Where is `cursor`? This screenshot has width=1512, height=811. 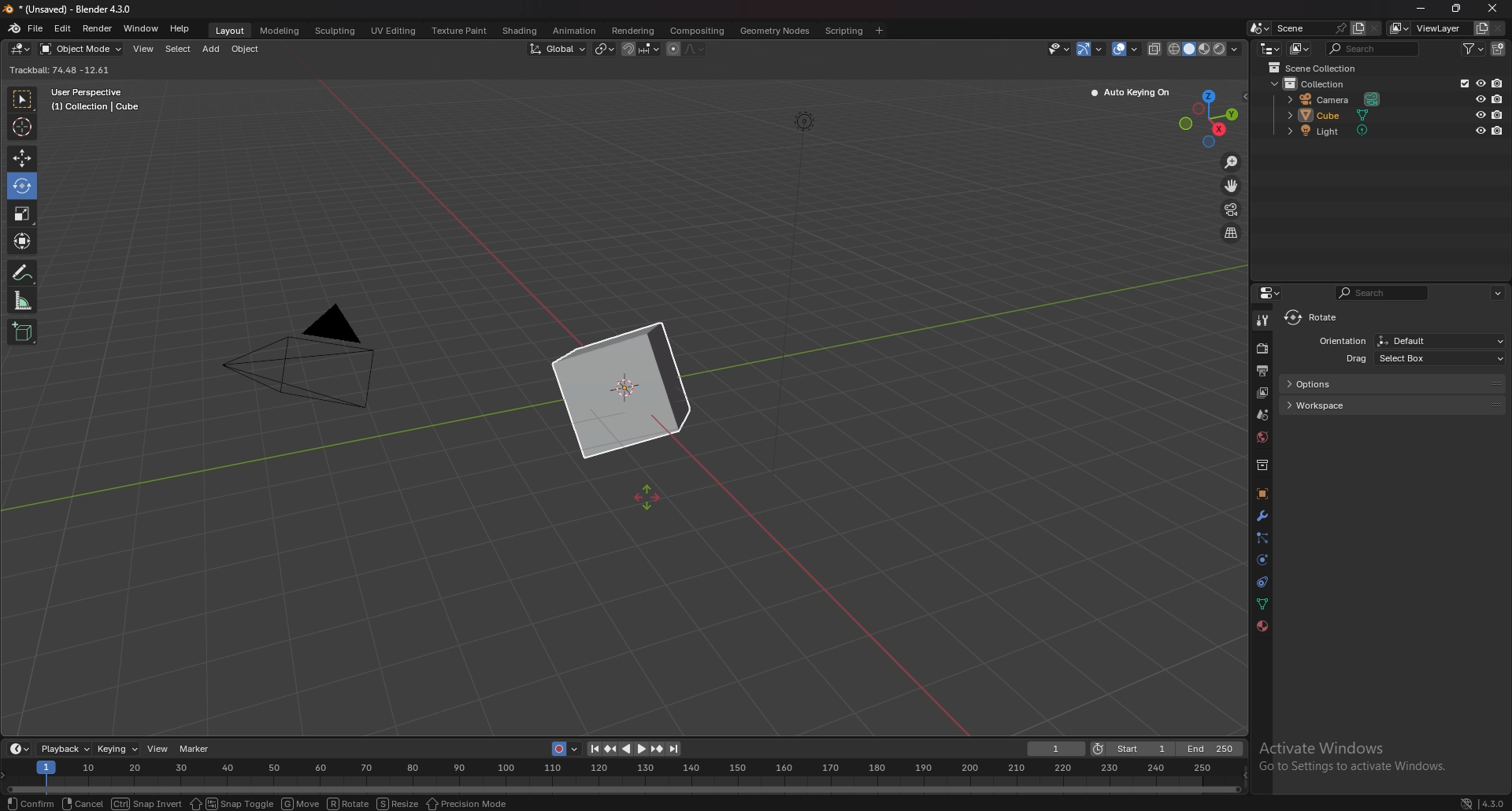
cursor is located at coordinates (21, 126).